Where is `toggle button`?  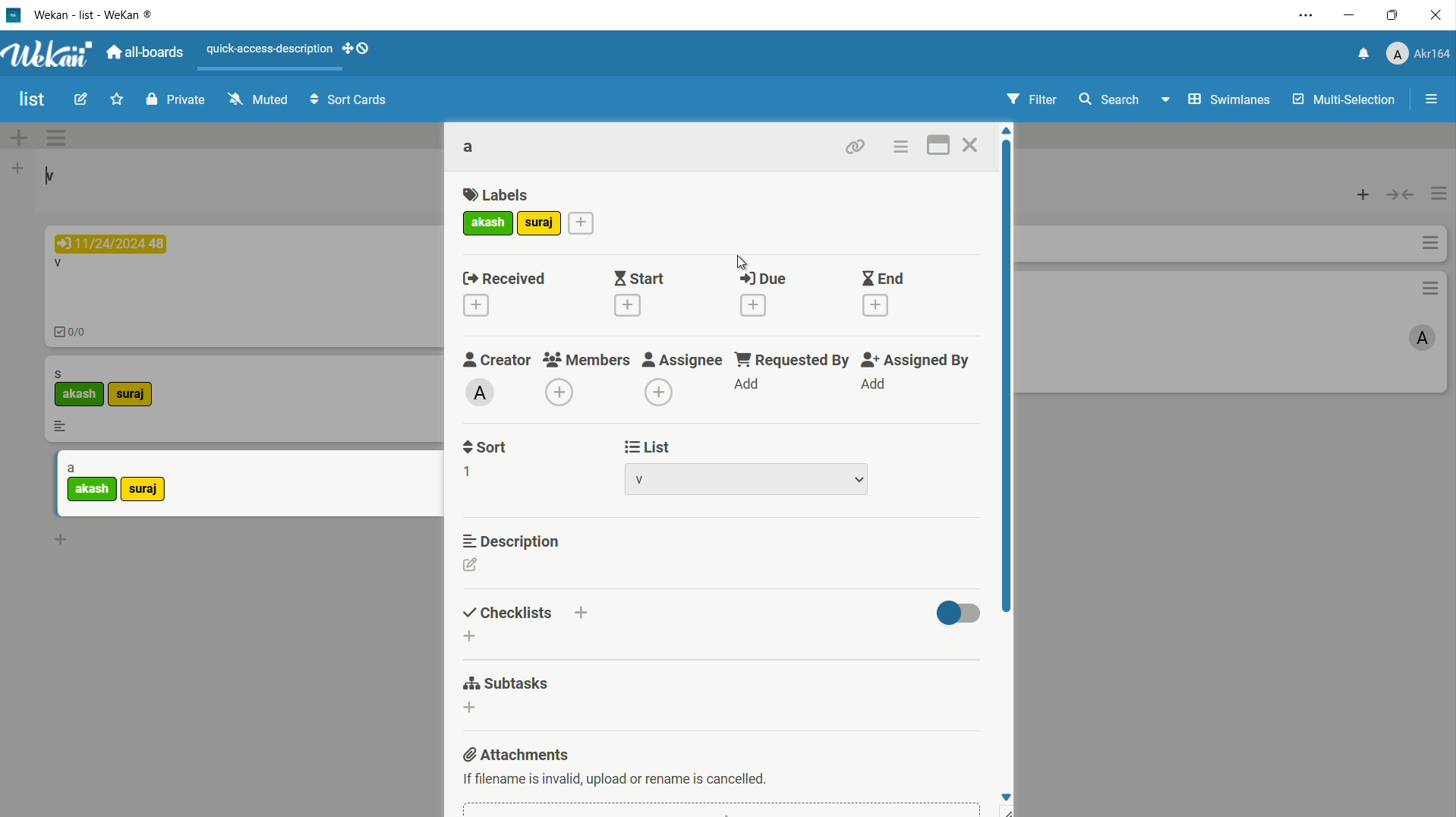 toggle button is located at coordinates (960, 611).